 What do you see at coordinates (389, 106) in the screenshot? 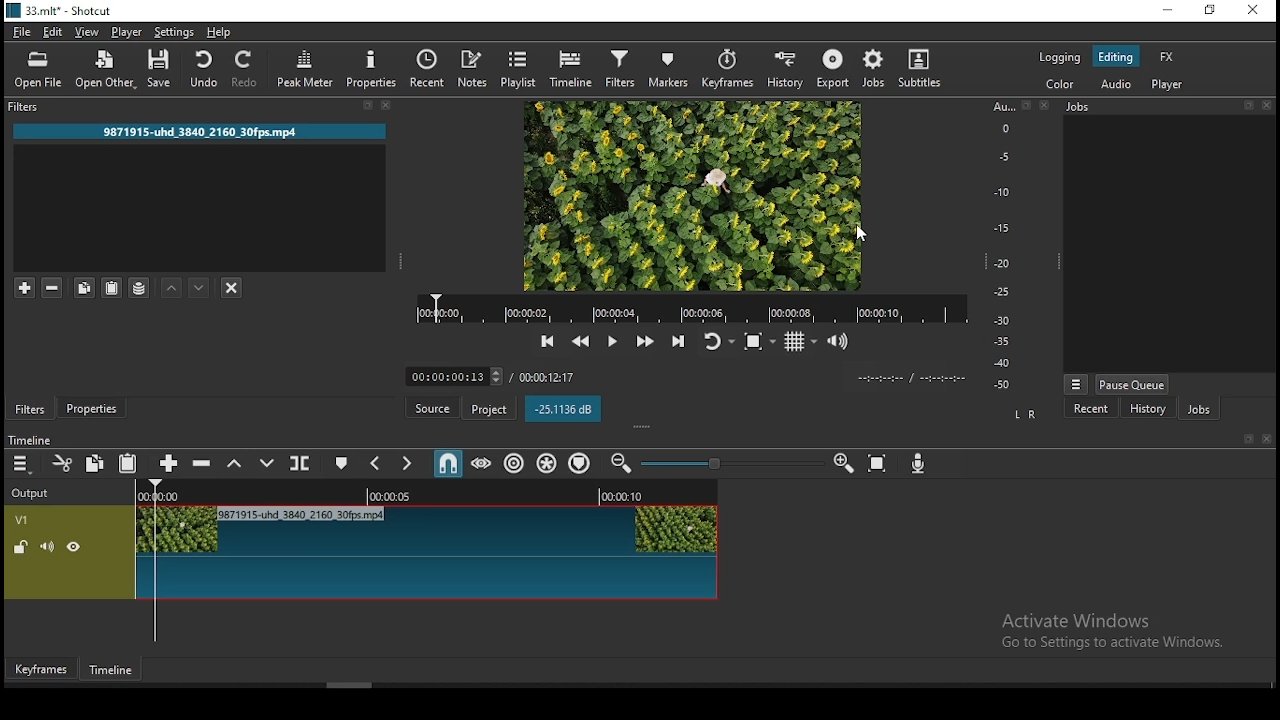
I see `close` at bounding box center [389, 106].